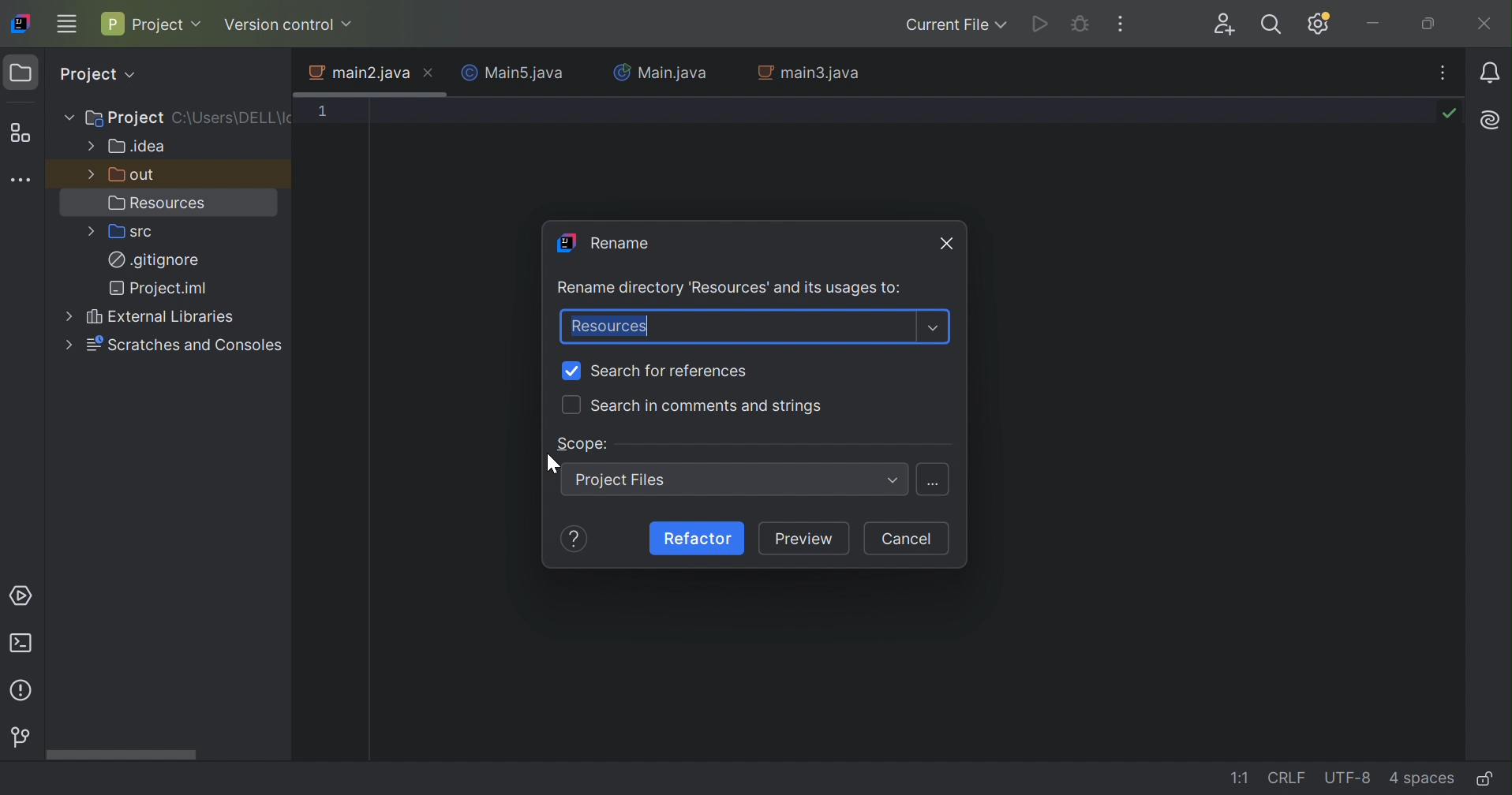  What do you see at coordinates (893, 482) in the screenshot?
I see `Drop down` at bounding box center [893, 482].